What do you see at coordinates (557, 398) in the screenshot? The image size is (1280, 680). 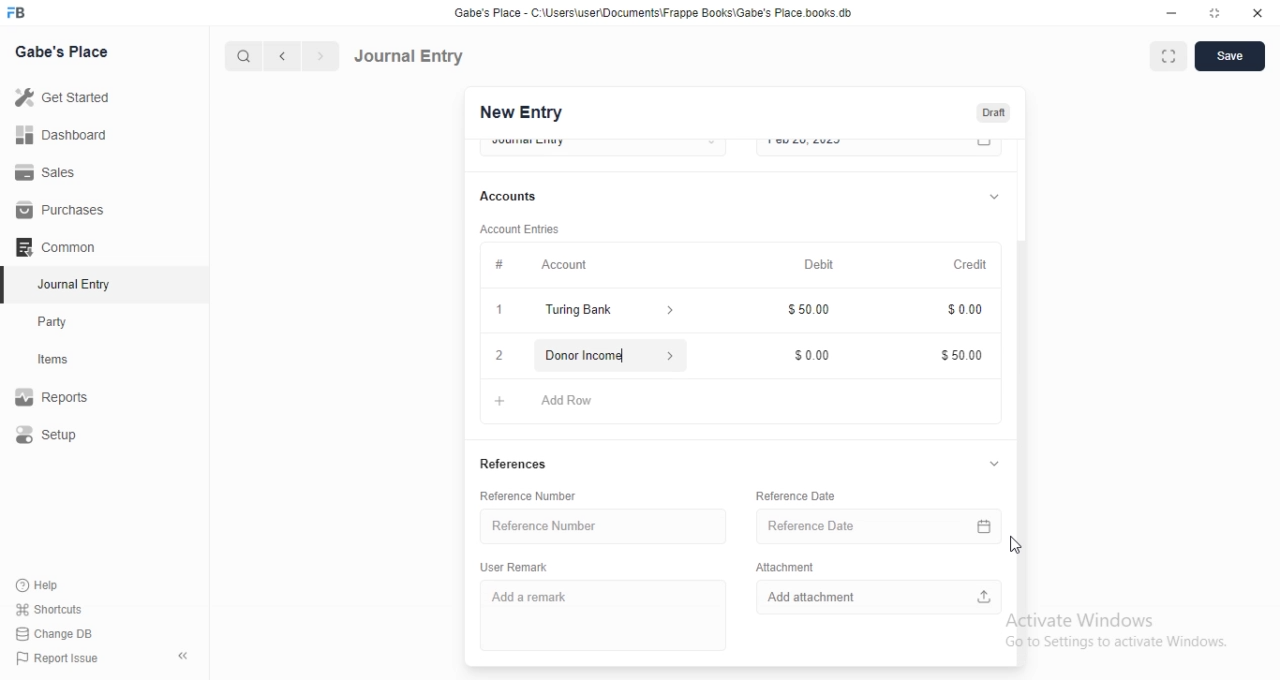 I see `Add Row` at bounding box center [557, 398].